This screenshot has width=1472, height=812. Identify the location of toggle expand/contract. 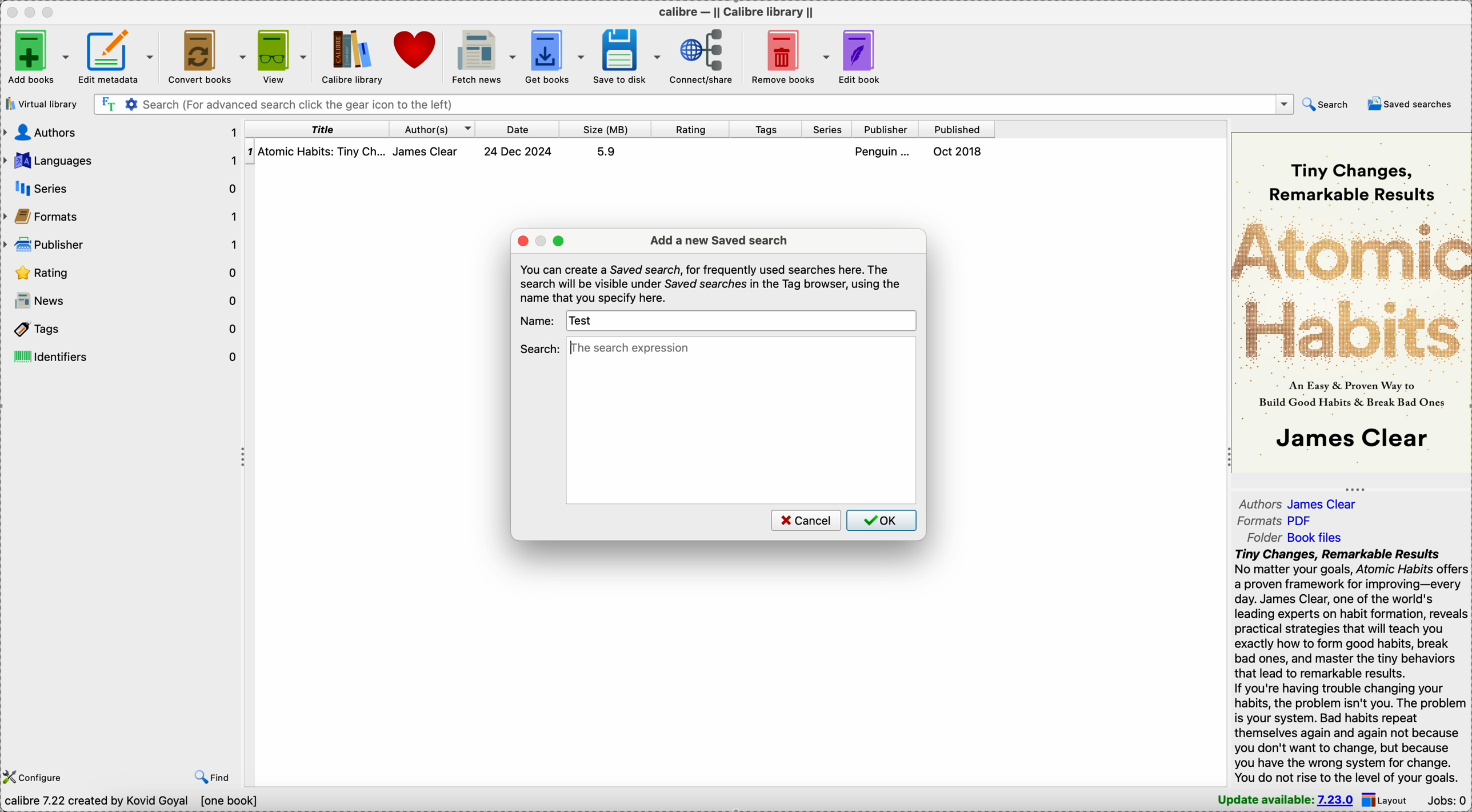
(244, 458).